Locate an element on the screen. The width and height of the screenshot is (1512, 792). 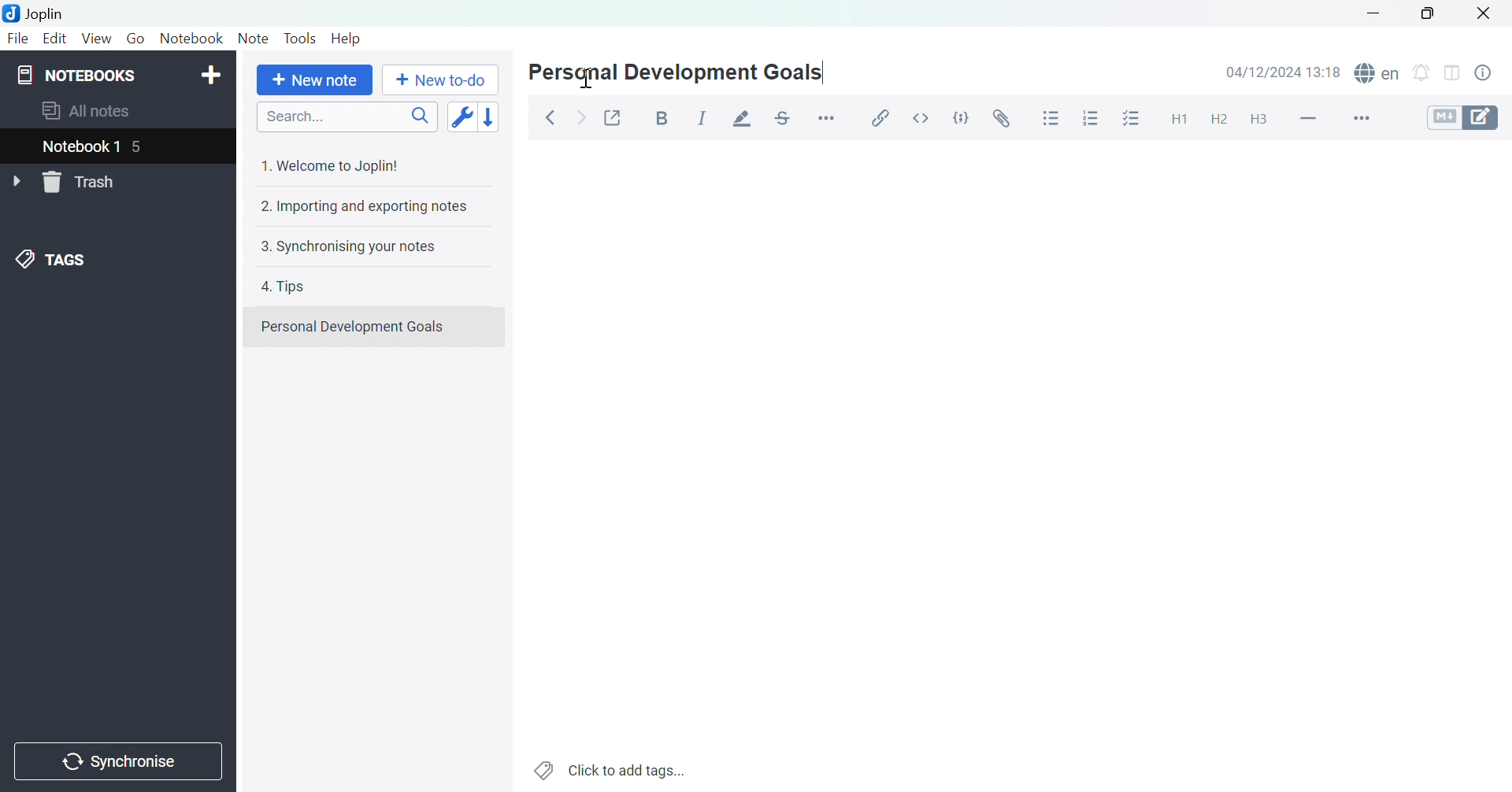
cursor is located at coordinates (585, 80).